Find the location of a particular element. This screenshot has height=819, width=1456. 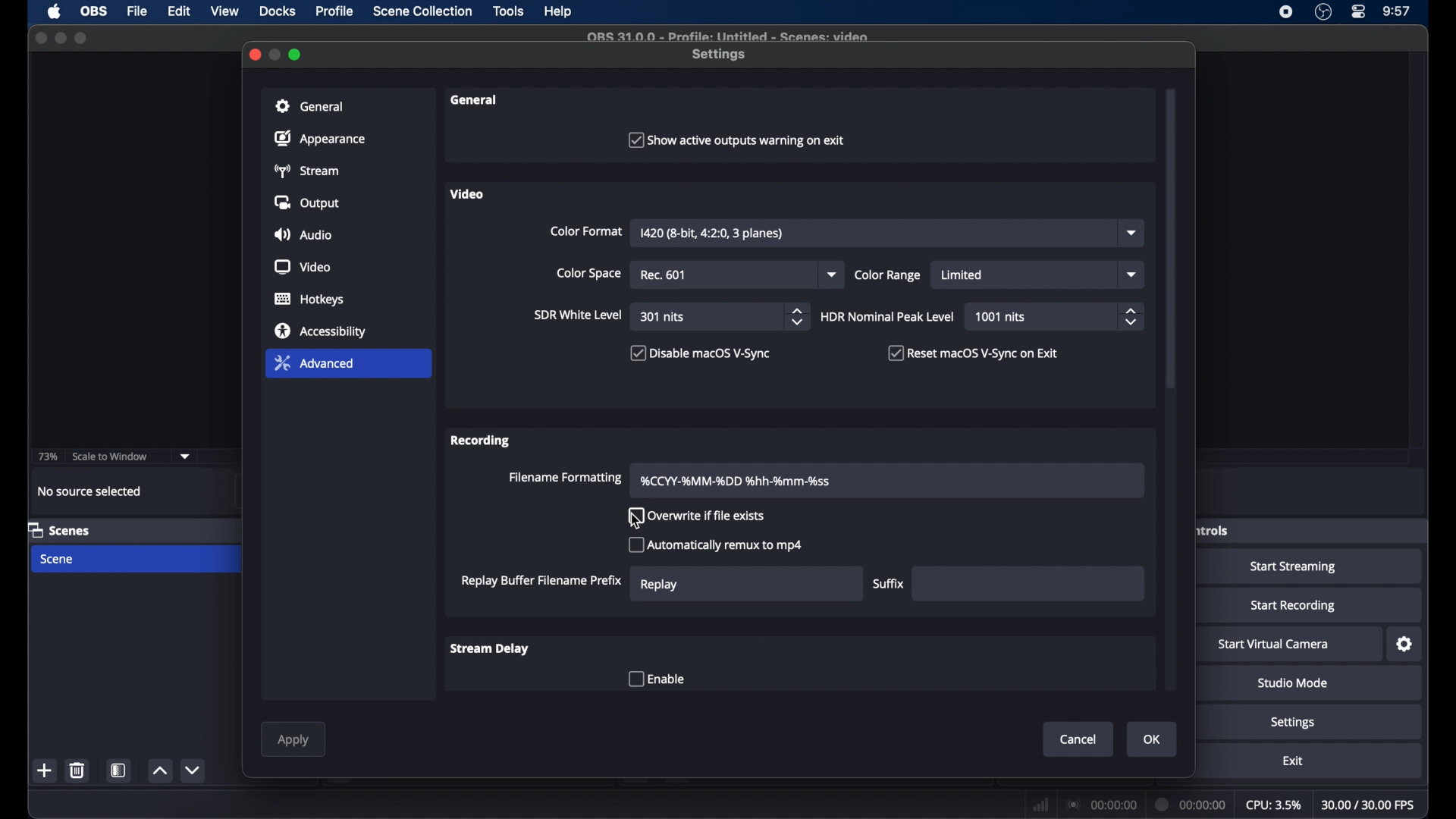

filename formatting is located at coordinates (567, 478).